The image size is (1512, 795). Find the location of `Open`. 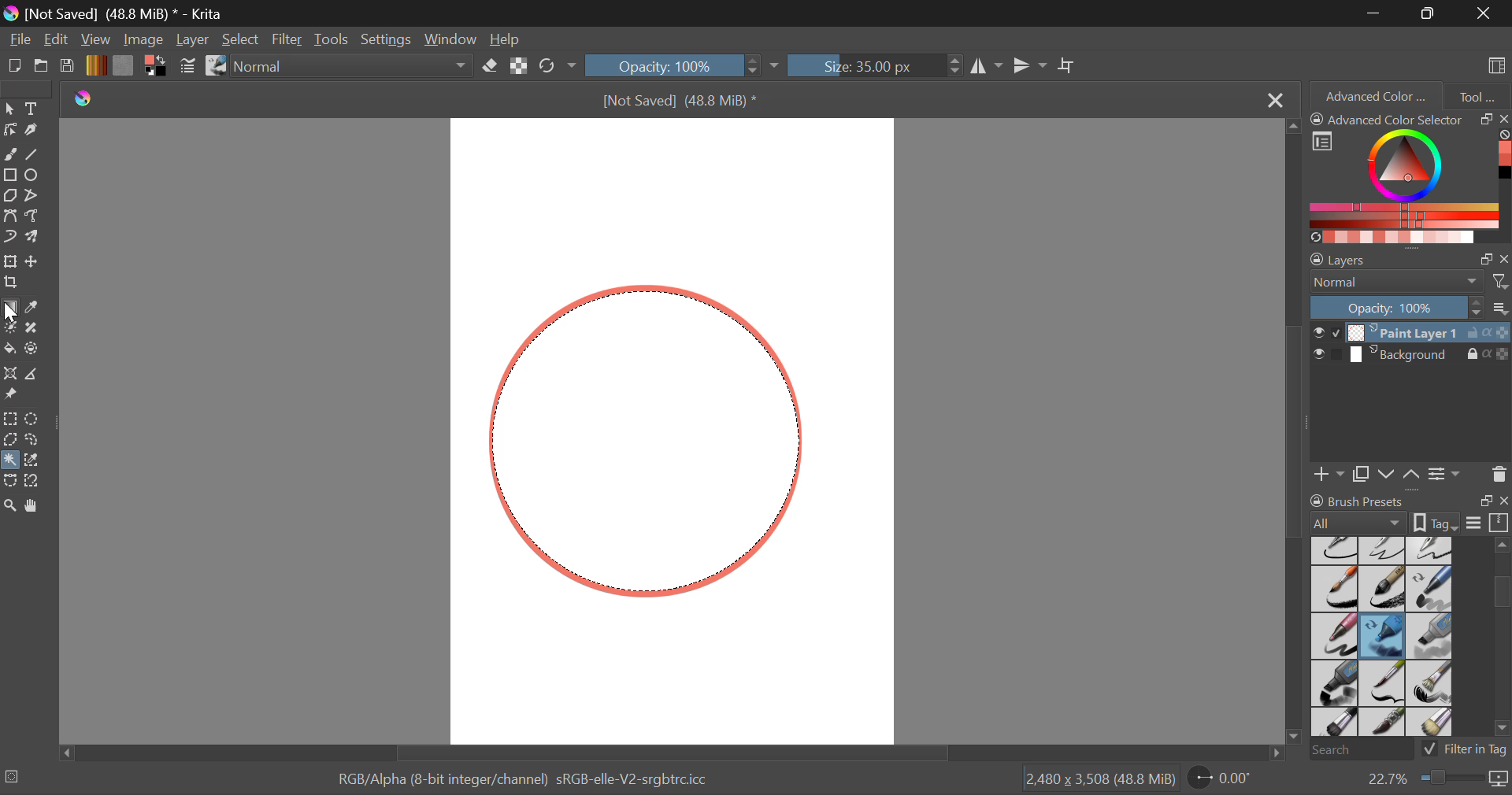

Open is located at coordinates (43, 68).